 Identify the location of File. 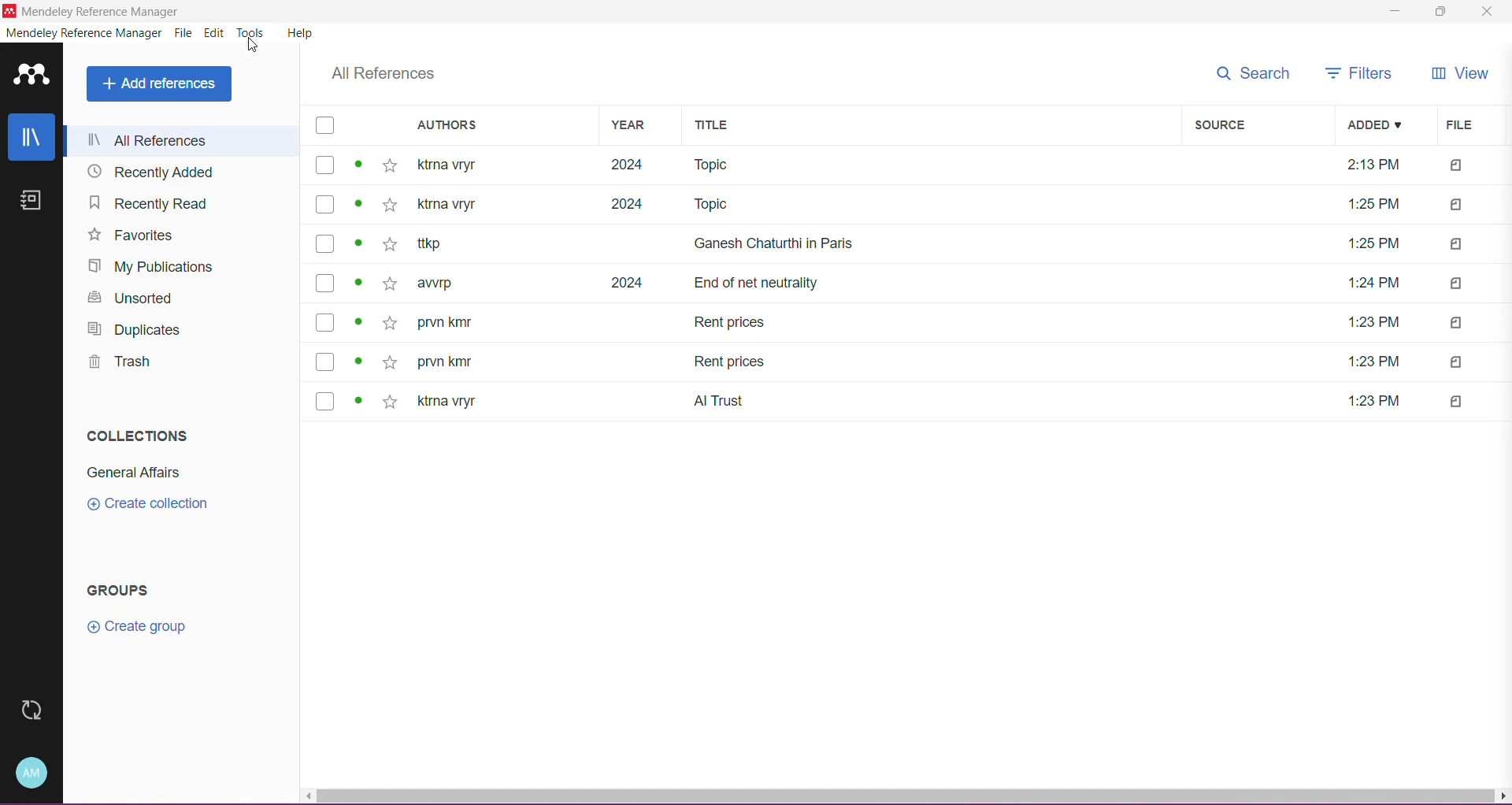
(185, 34).